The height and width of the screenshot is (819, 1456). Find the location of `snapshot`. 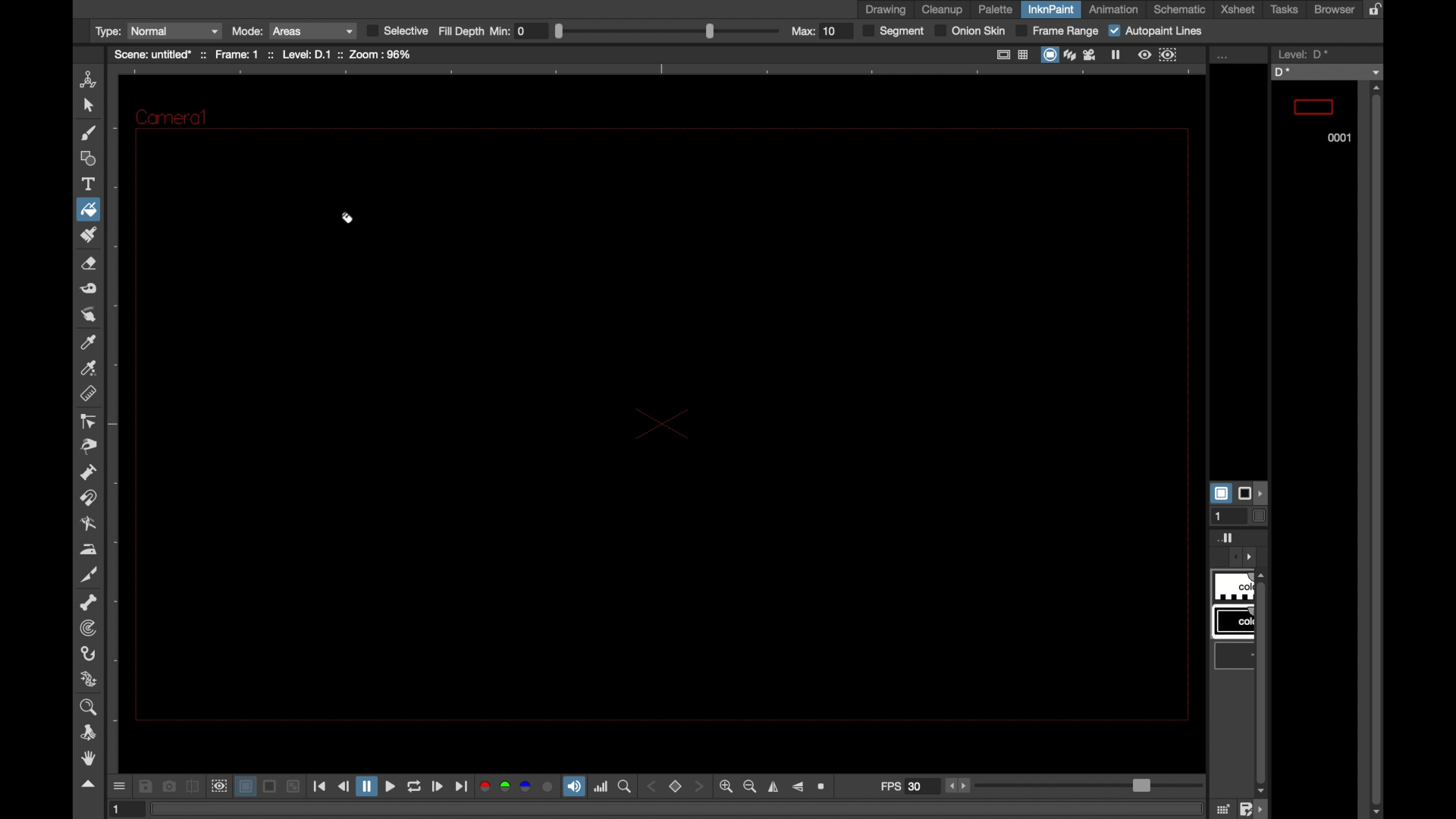

snapshot is located at coordinates (170, 786).